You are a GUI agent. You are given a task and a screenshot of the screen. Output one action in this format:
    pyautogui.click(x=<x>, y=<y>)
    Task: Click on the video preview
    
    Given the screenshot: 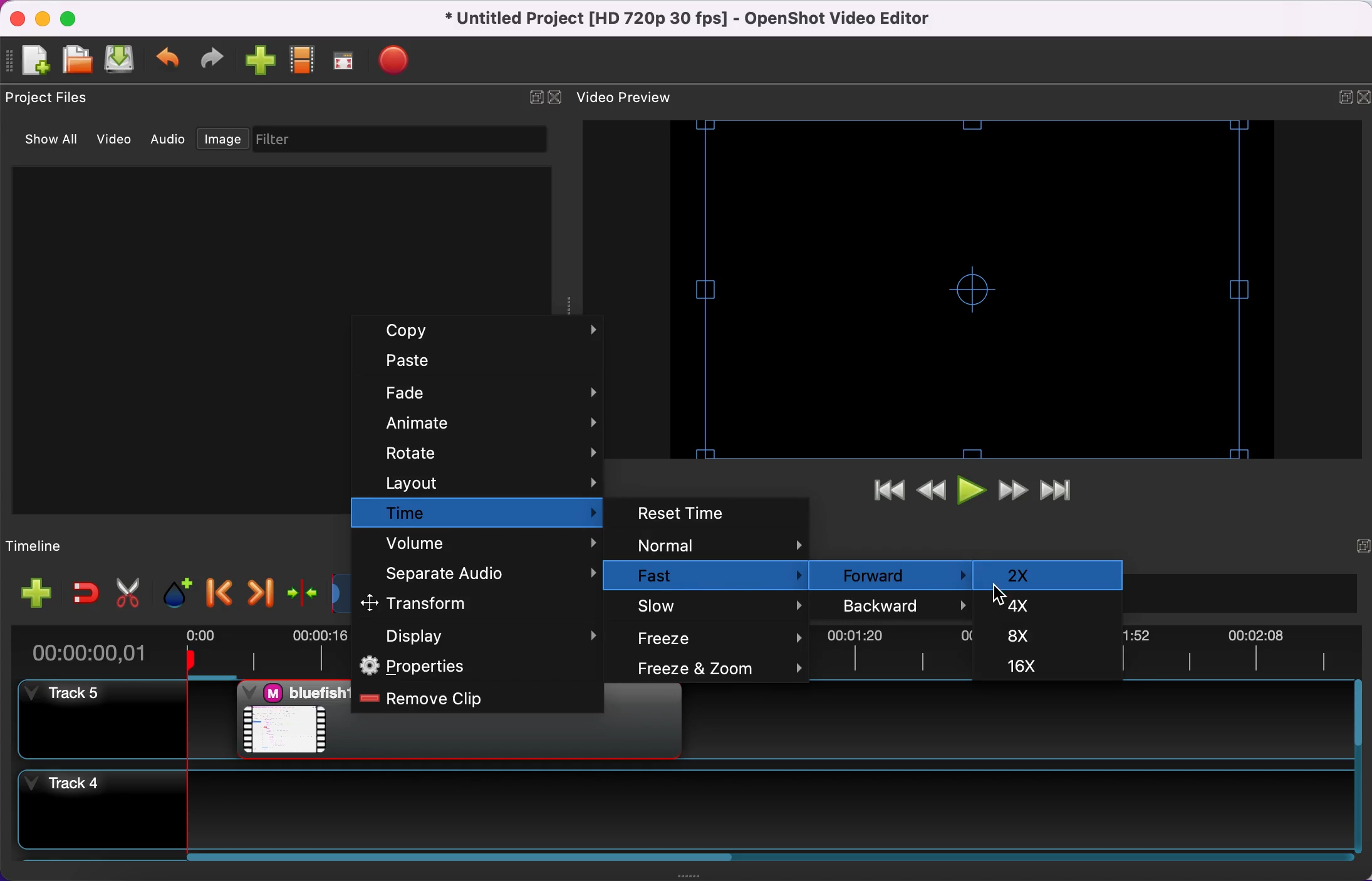 What is the action you would take?
    pyautogui.click(x=635, y=96)
    